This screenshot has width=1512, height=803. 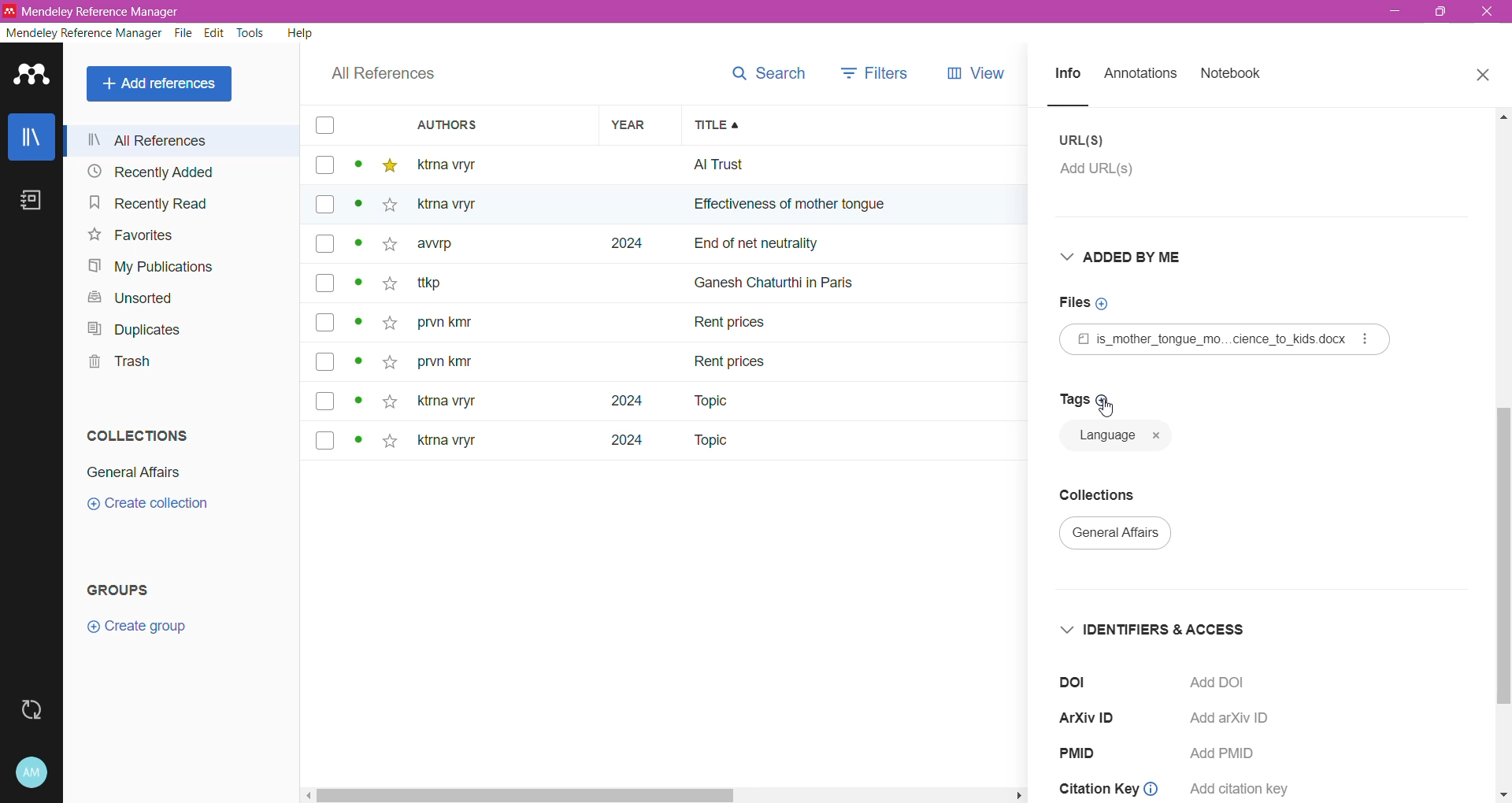 What do you see at coordinates (863, 125) in the screenshot?
I see `Title` at bounding box center [863, 125].